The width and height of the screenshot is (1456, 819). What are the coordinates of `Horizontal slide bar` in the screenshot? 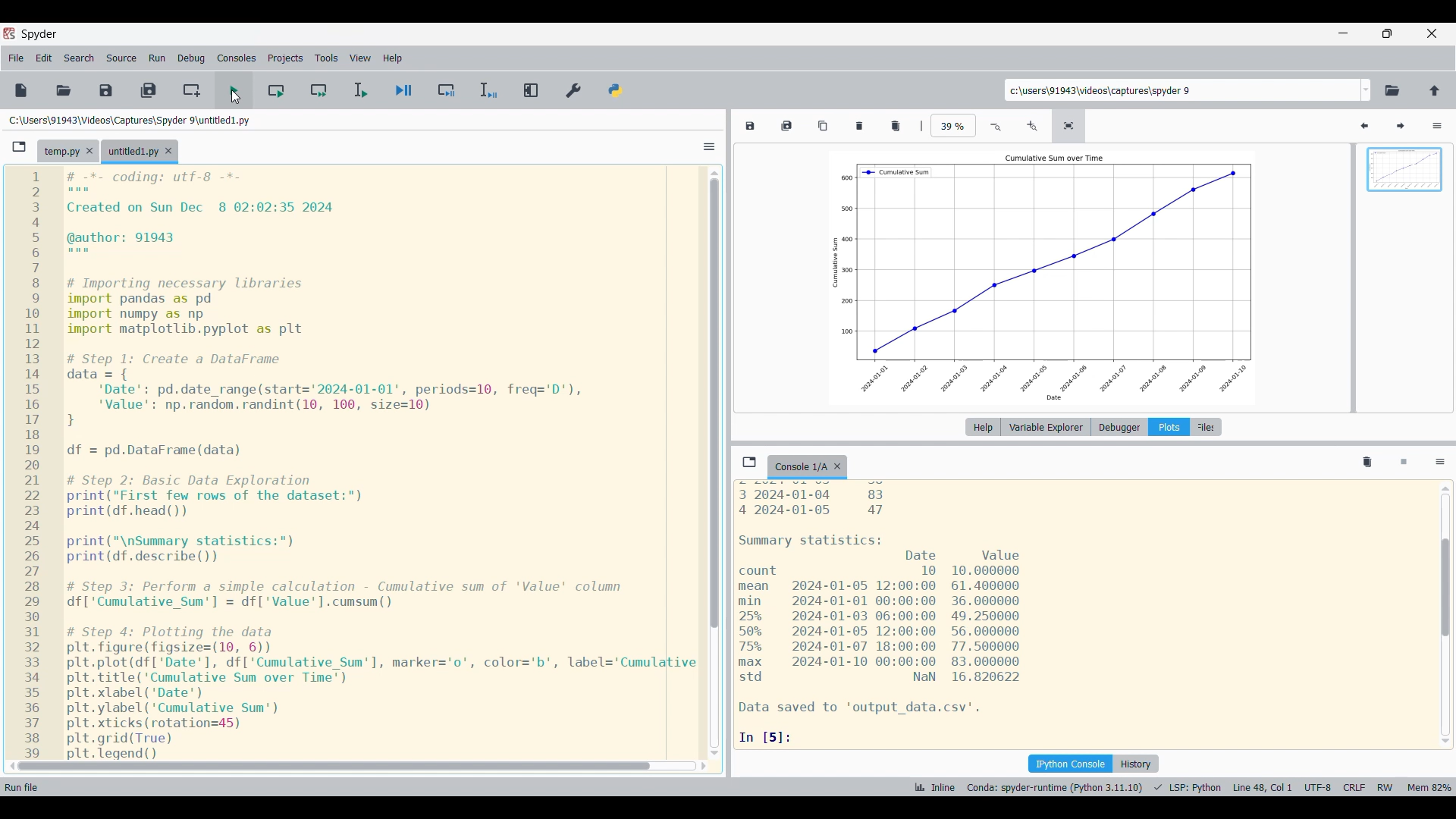 It's located at (358, 767).